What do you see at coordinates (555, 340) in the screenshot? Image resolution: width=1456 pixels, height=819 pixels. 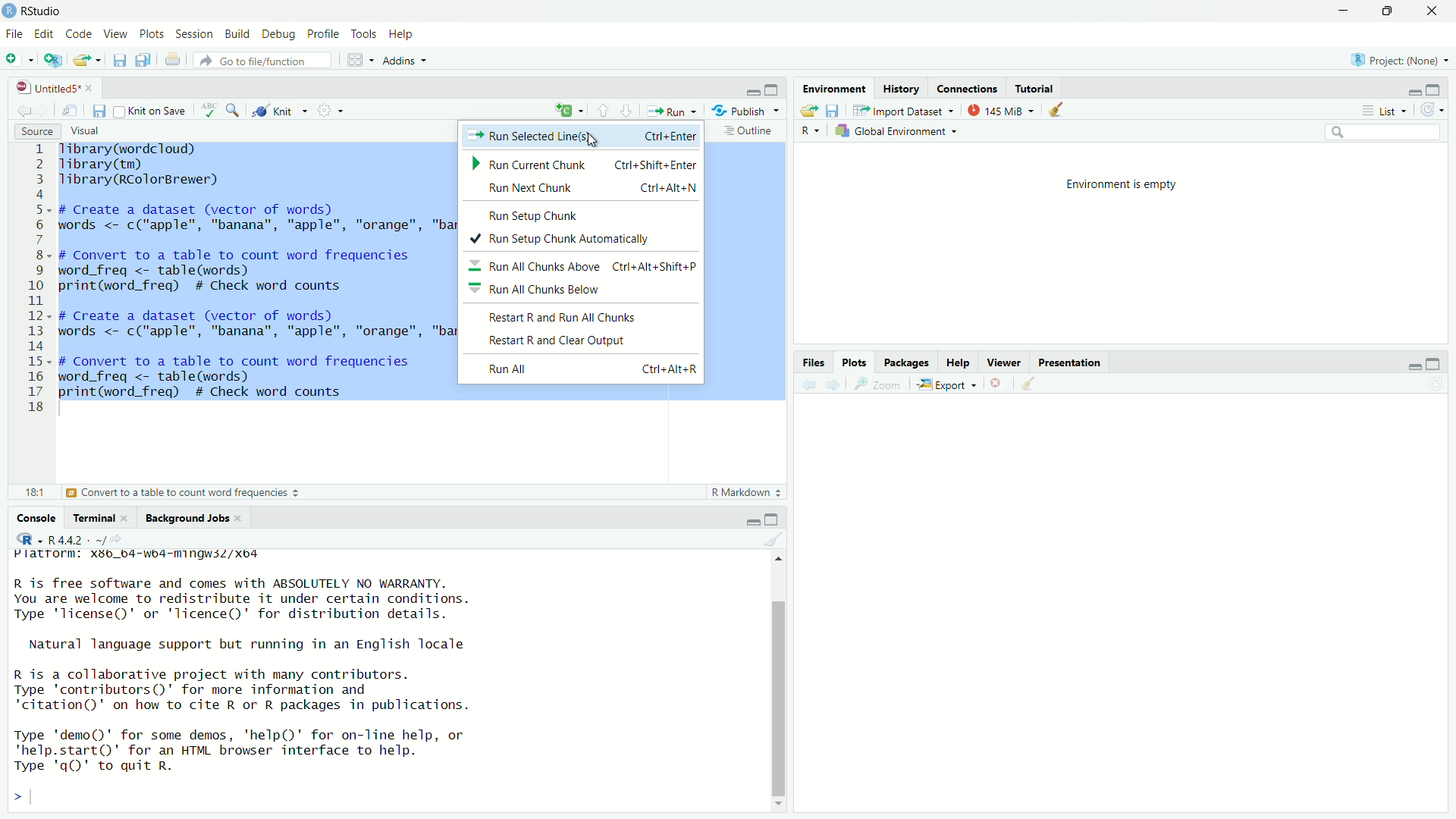 I see `Restart R and Clear Output` at bounding box center [555, 340].